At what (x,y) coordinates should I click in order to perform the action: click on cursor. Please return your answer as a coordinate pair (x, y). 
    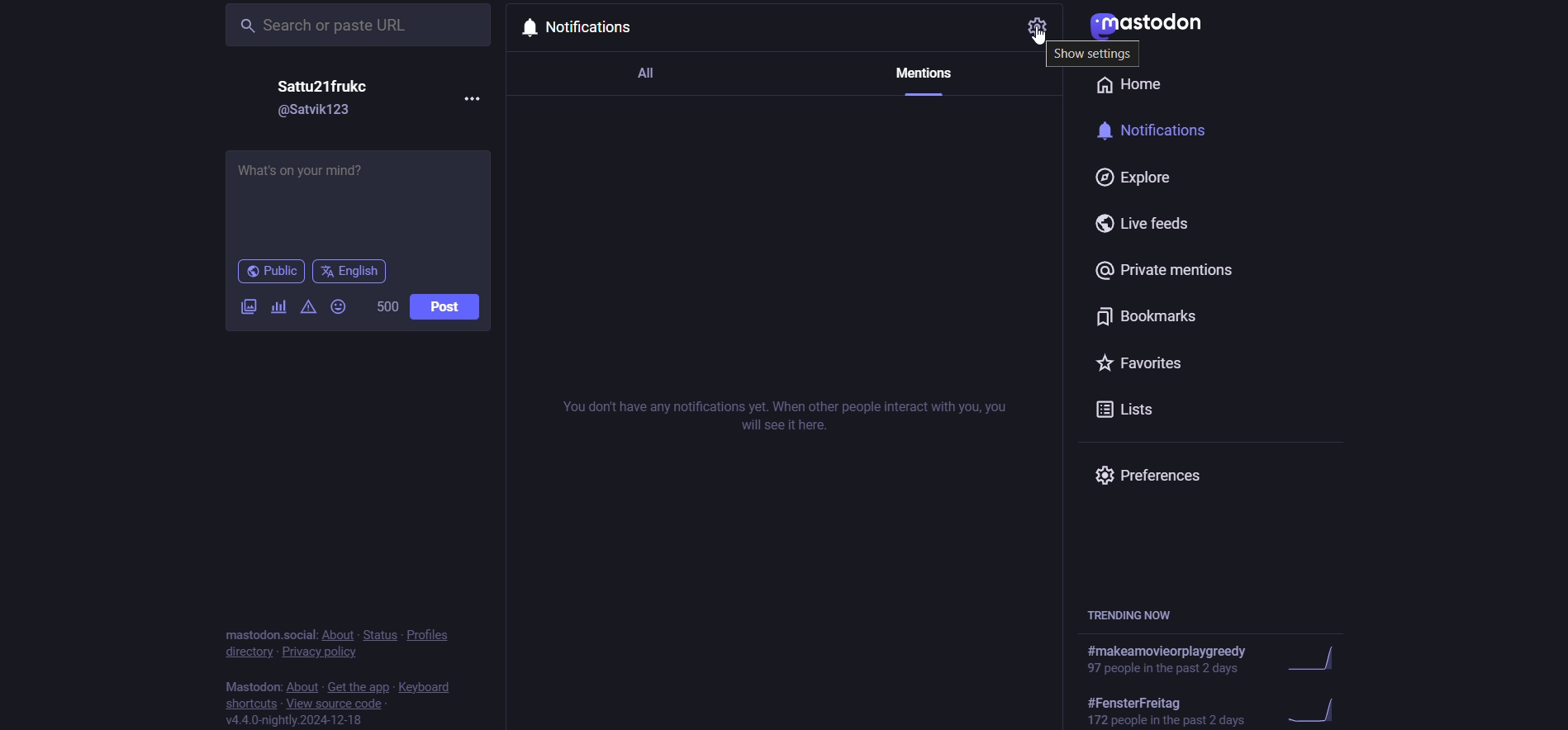
    Looking at the image, I should click on (1036, 42).